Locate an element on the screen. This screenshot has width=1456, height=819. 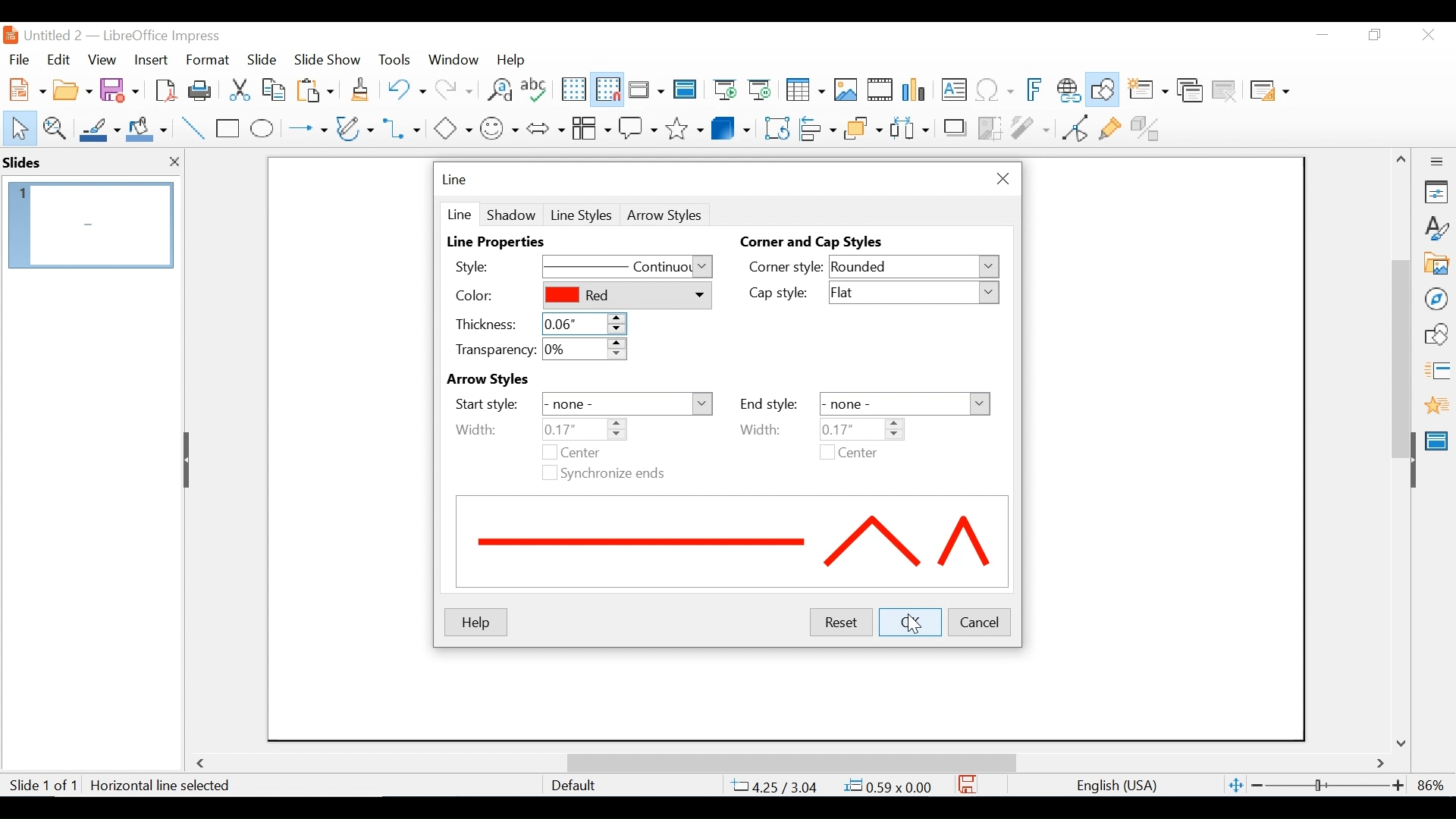
Thickness is located at coordinates (485, 324).